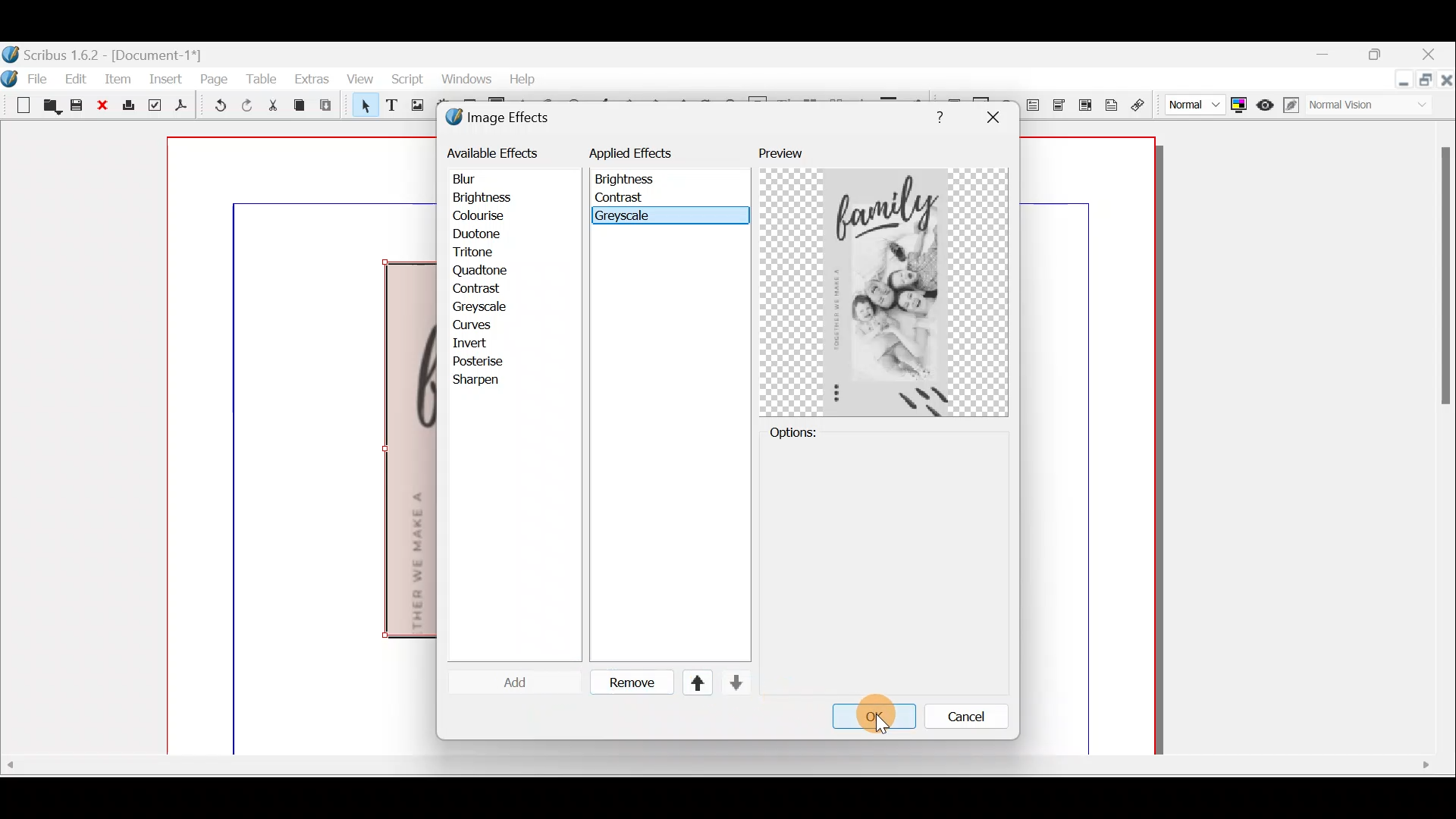  Describe the element at coordinates (485, 307) in the screenshot. I see `greyscale` at that location.